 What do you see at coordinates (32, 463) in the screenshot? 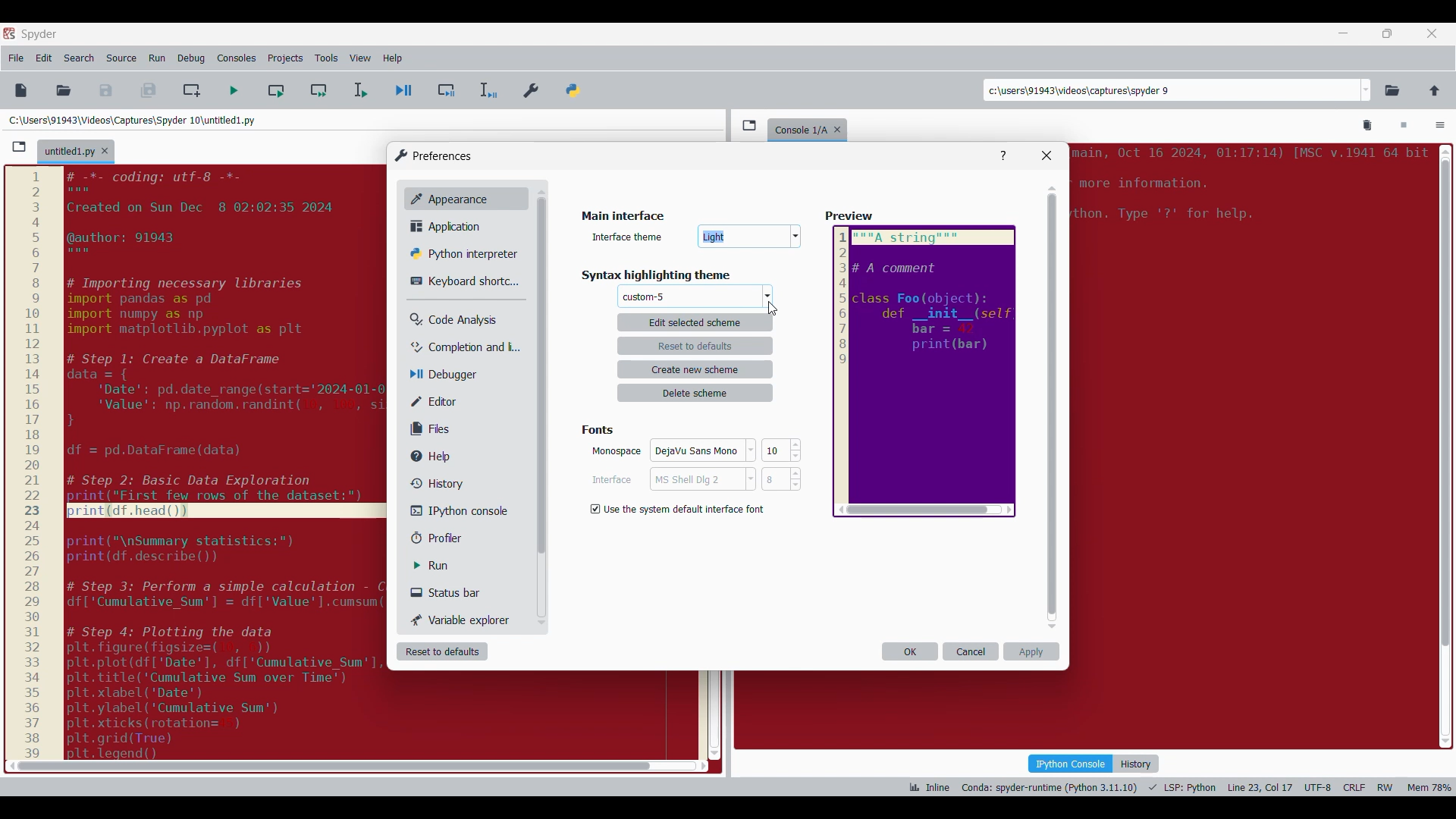
I see `scale` at bounding box center [32, 463].